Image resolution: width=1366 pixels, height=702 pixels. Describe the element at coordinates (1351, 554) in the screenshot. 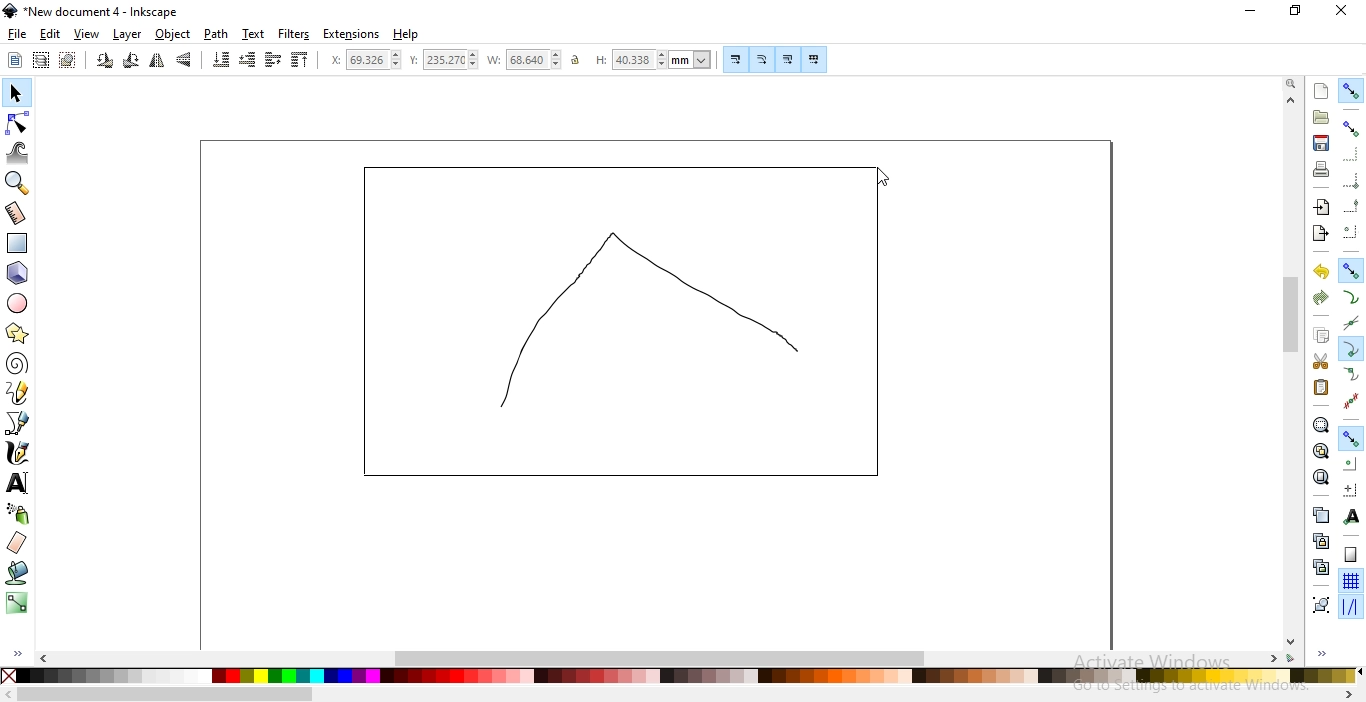

I see `` at that location.